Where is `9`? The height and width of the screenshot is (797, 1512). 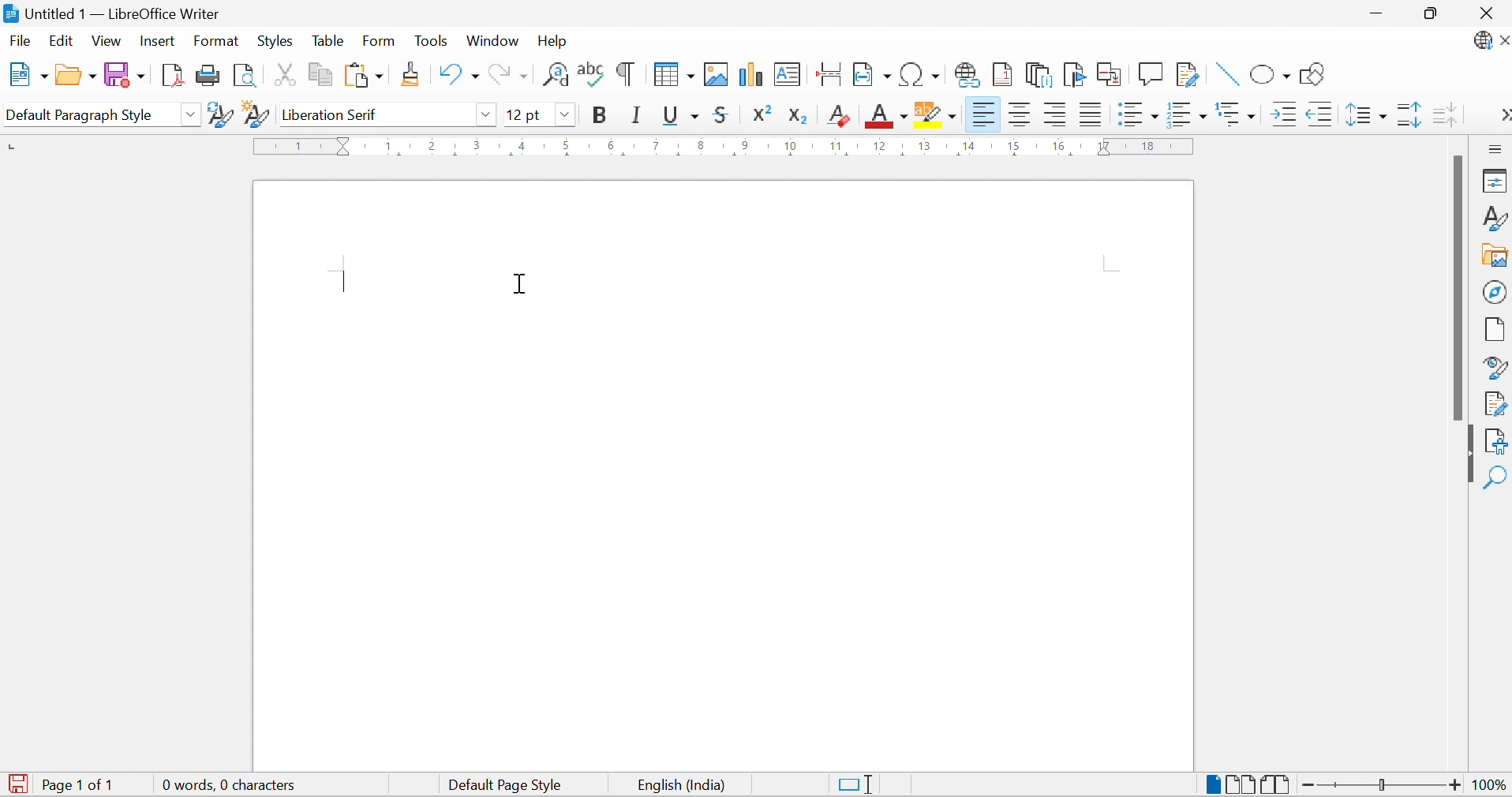
9 is located at coordinates (743, 146).